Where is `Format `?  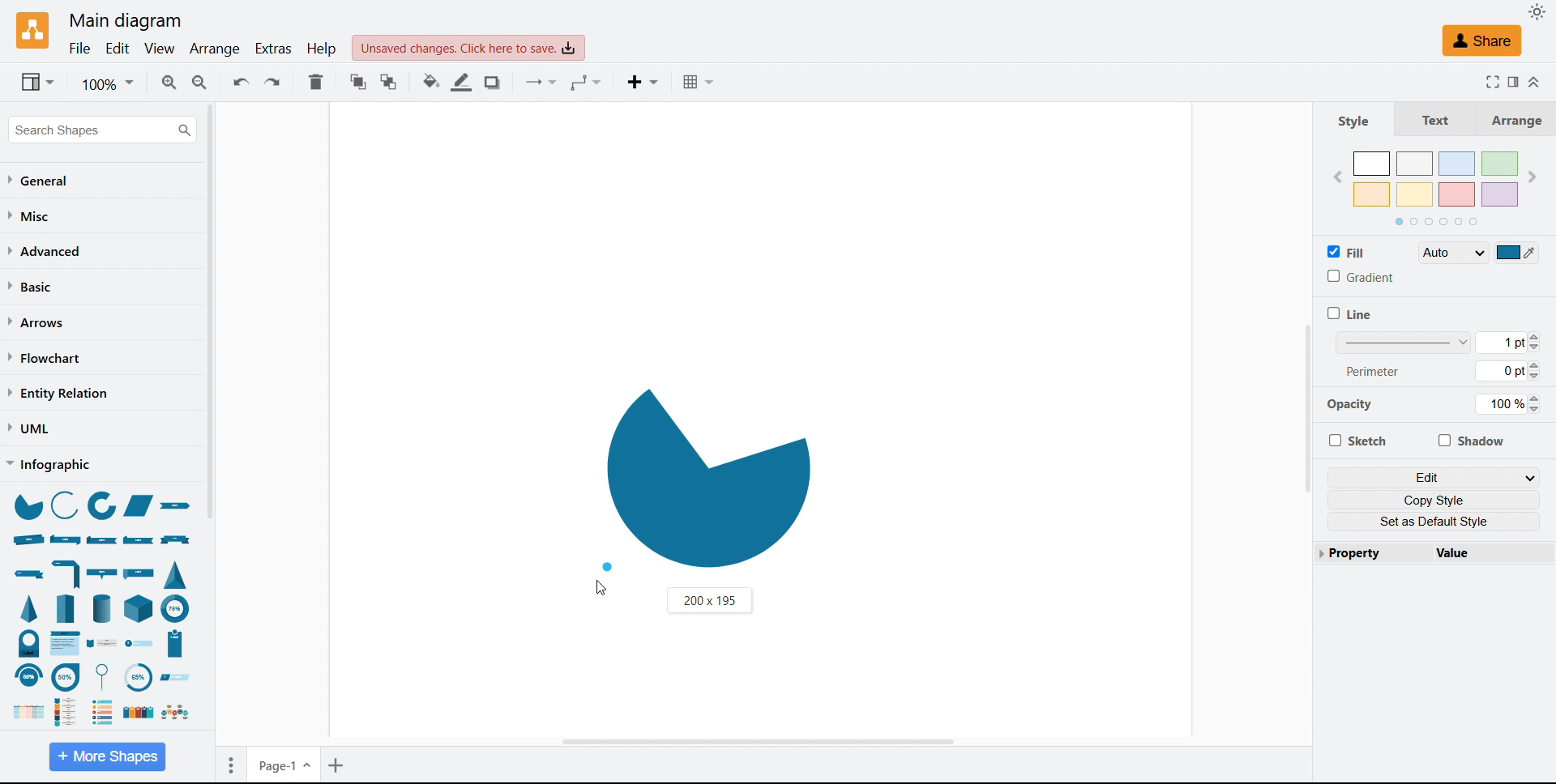 Format  is located at coordinates (1512, 81).